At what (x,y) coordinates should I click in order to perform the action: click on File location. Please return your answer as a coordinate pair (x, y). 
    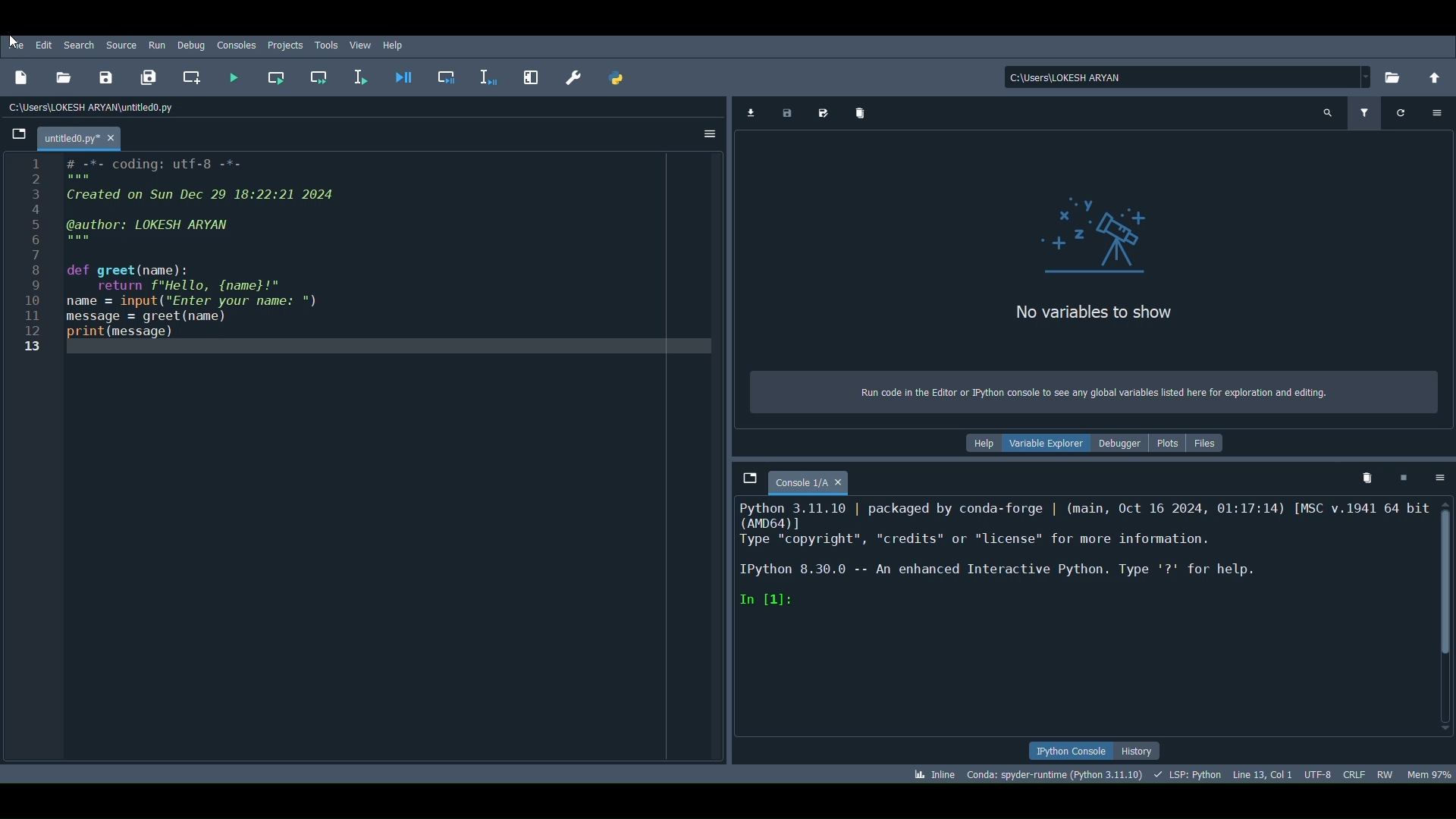
    Looking at the image, I should click on (1181, 76).